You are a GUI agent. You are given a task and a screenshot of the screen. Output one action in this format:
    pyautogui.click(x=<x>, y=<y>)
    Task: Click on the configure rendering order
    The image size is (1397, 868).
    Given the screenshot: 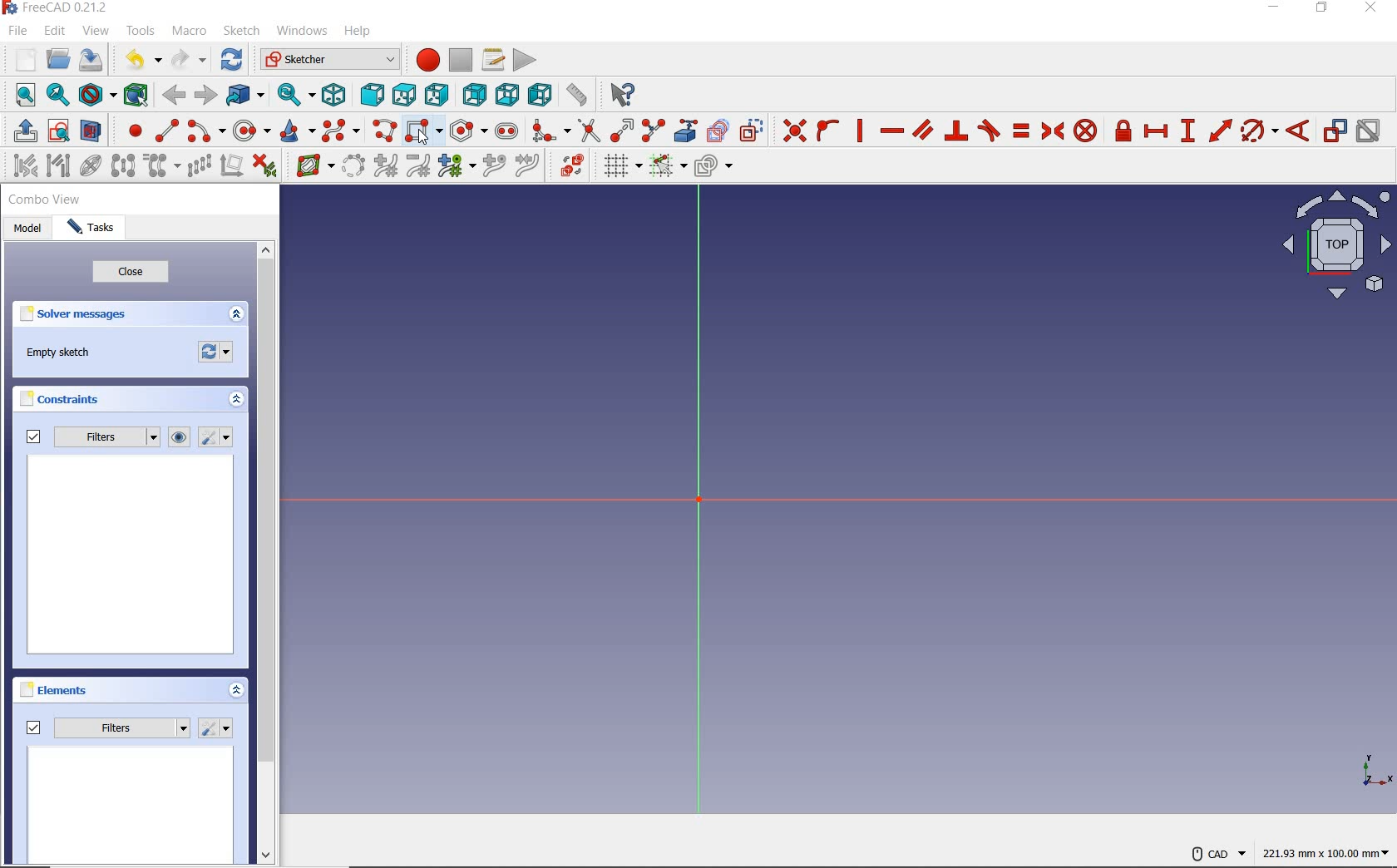 What is the action you would take?
    pyautogui.click(x=713, y=165)
    